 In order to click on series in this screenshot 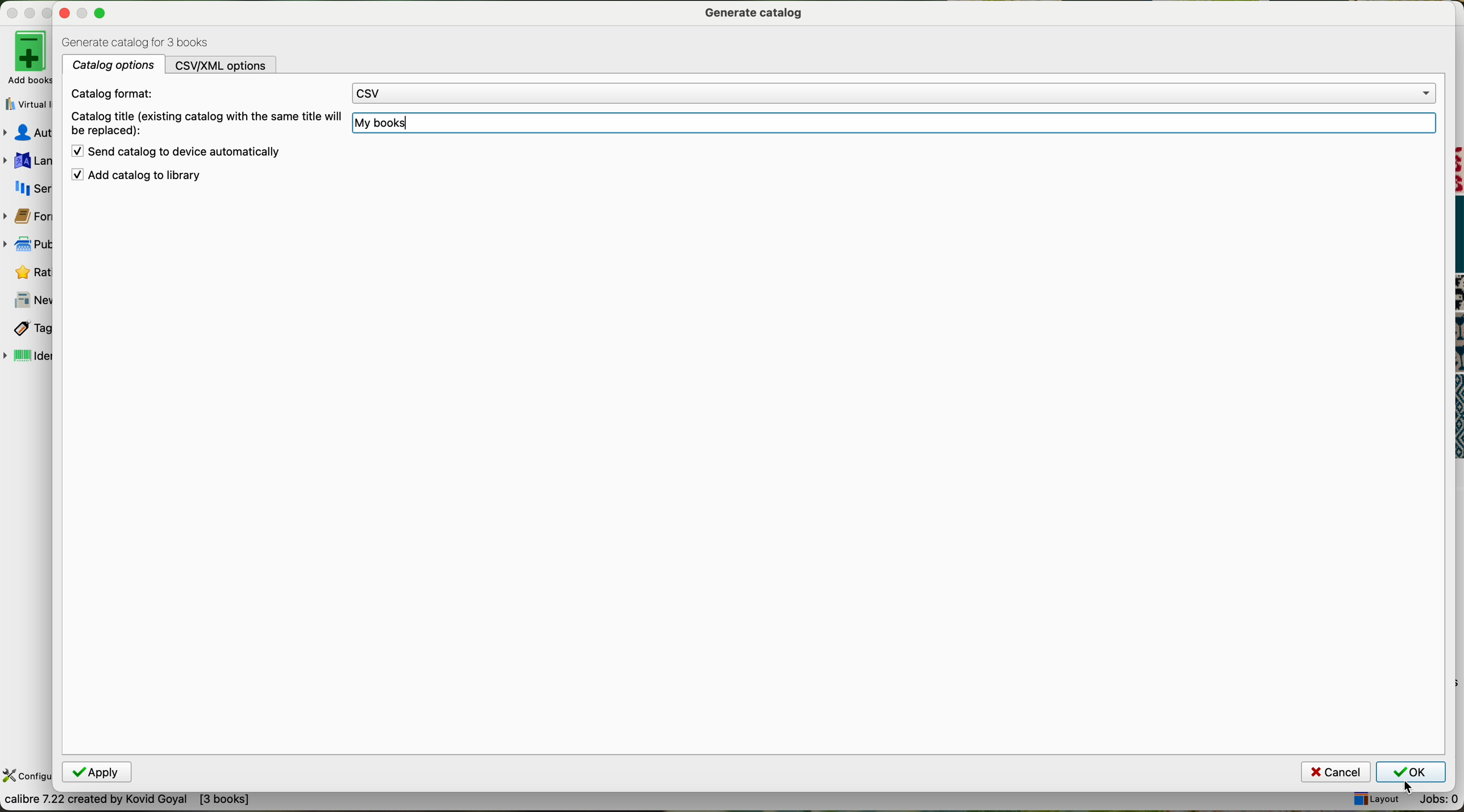, I will do `click(24, 190)`.